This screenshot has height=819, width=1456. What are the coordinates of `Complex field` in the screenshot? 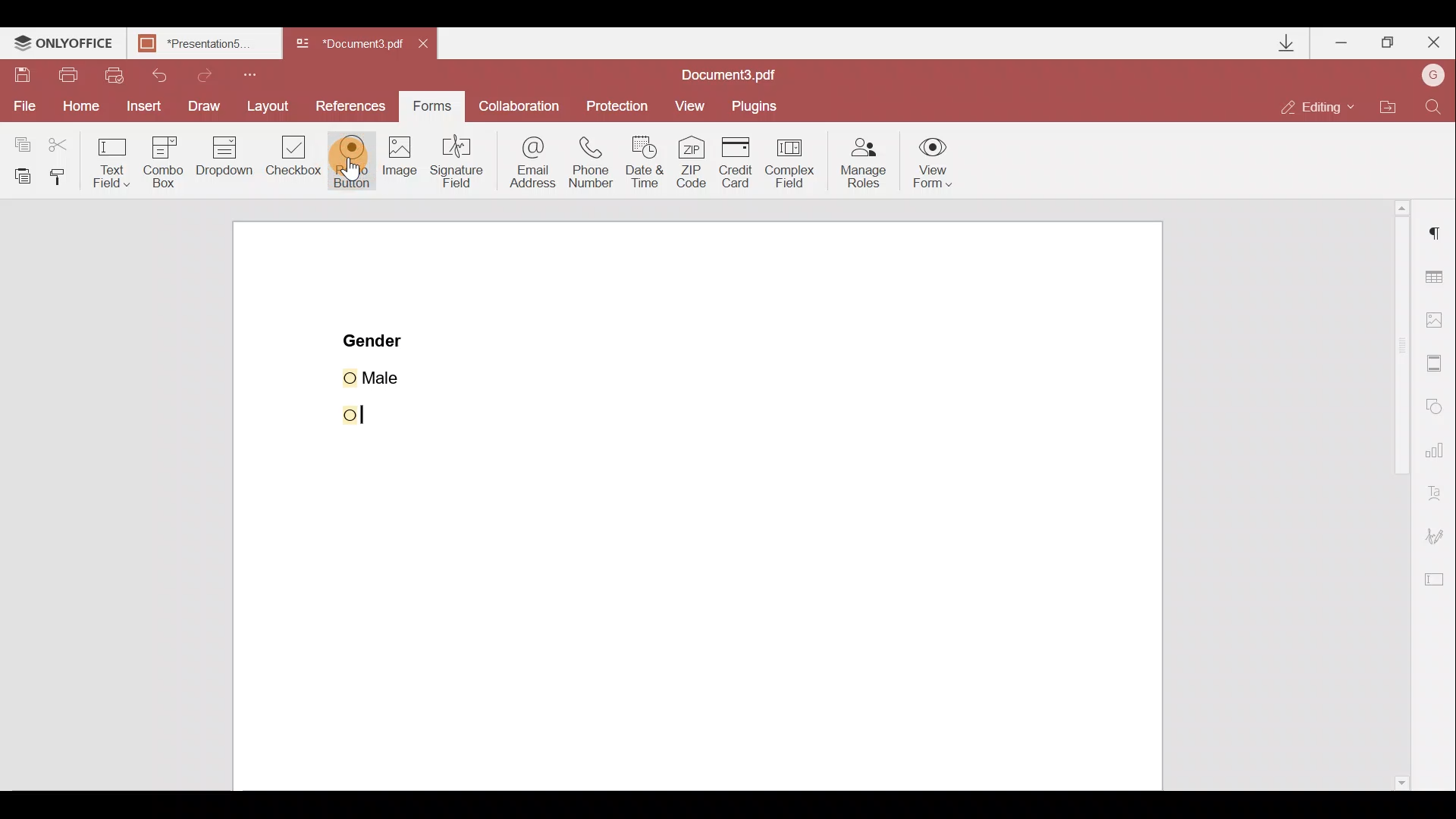 It's located at (795, 160).